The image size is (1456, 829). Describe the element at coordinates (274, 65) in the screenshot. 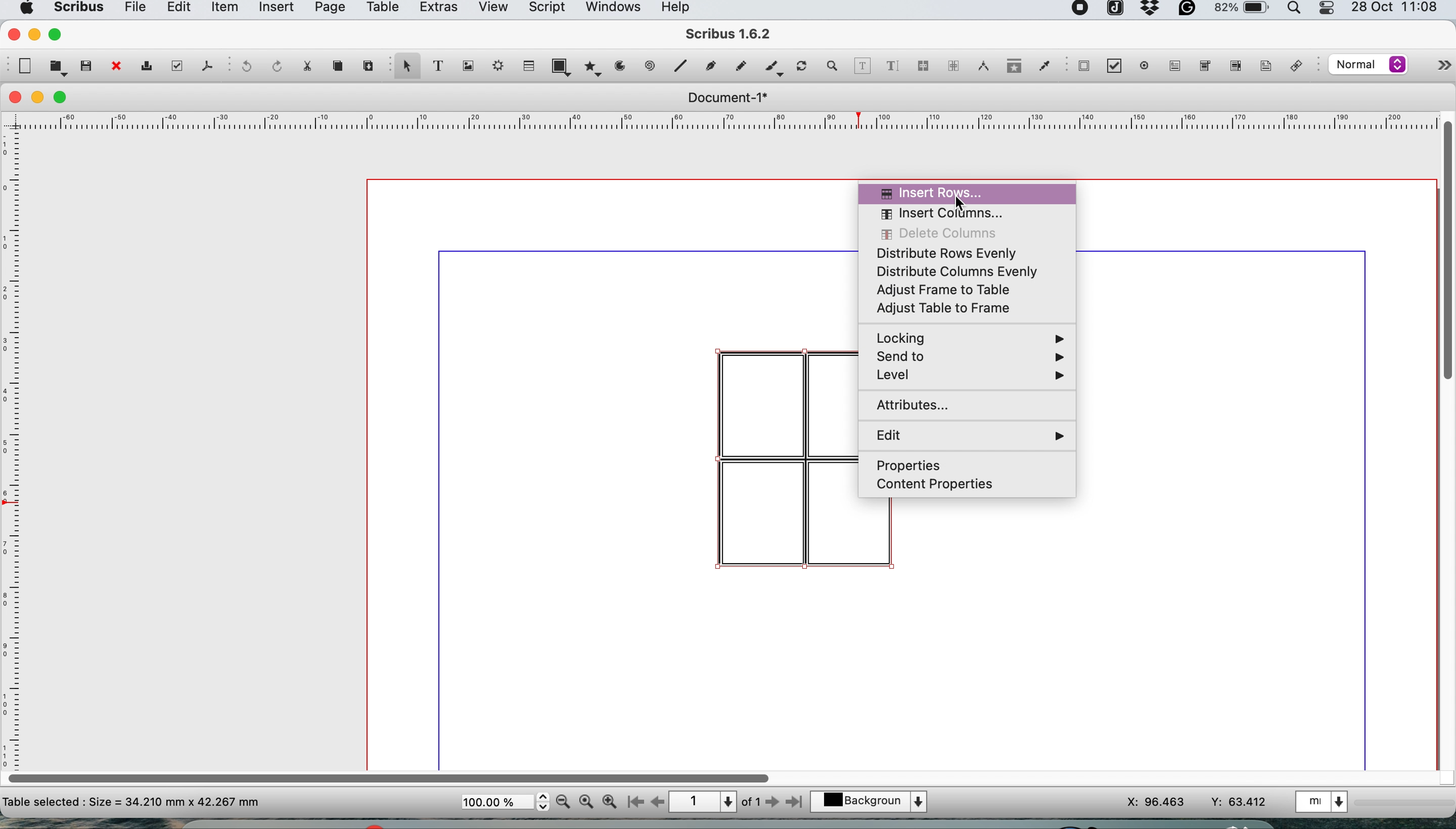

I see `redo` at that location.